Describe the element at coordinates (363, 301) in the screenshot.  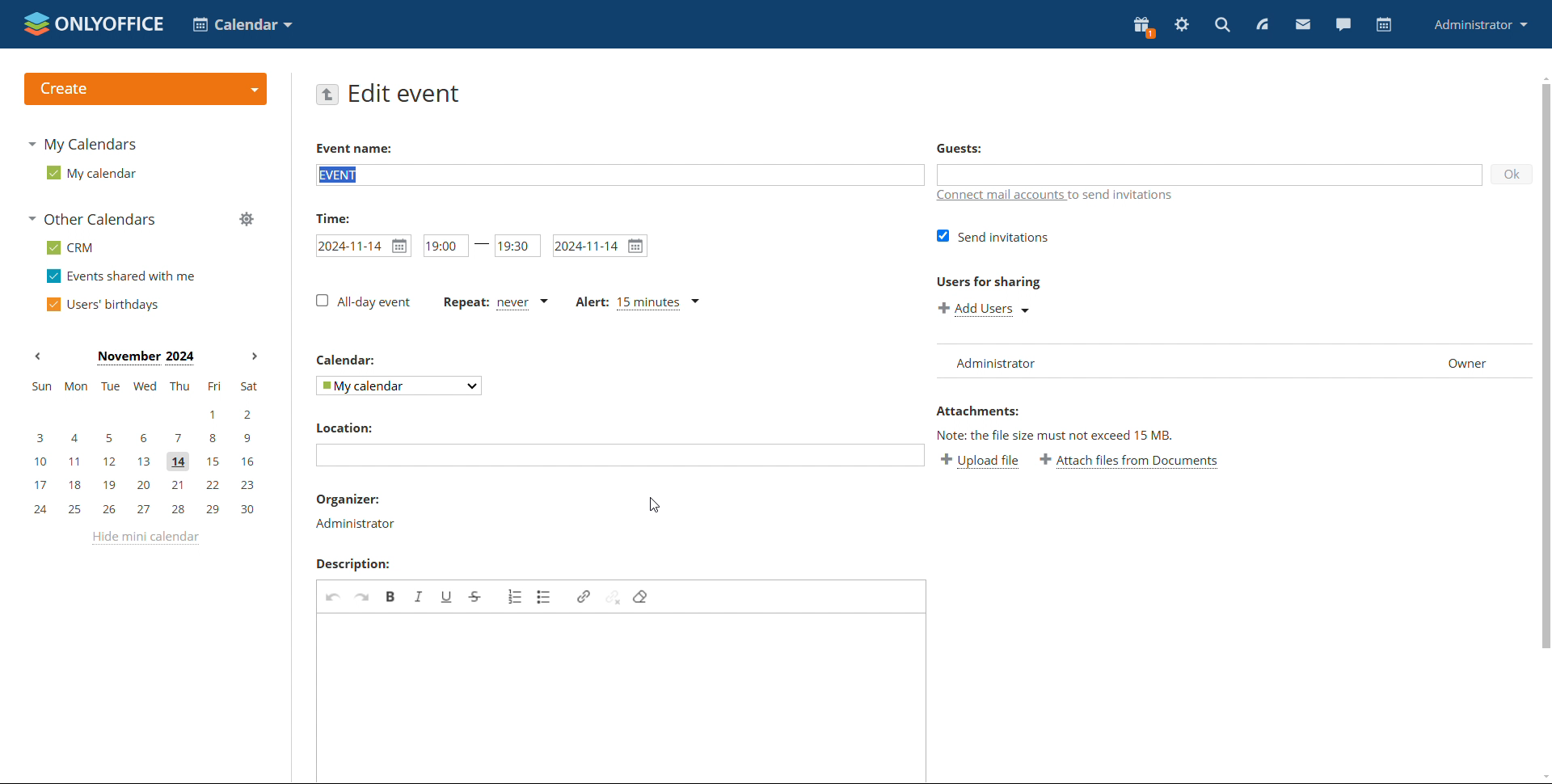
I see `all-day event checkbox` at that location.